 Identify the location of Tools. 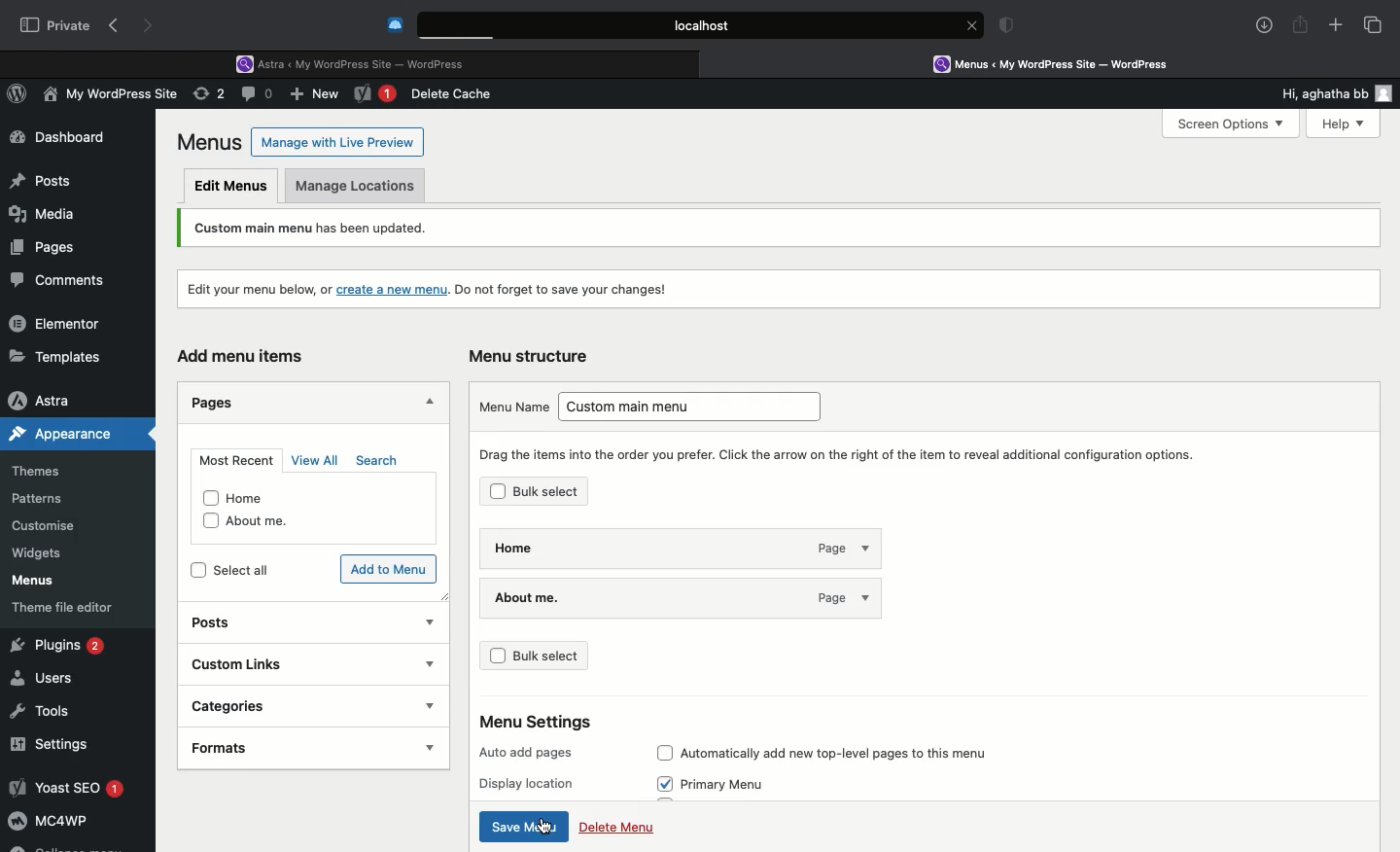
(42, 708).